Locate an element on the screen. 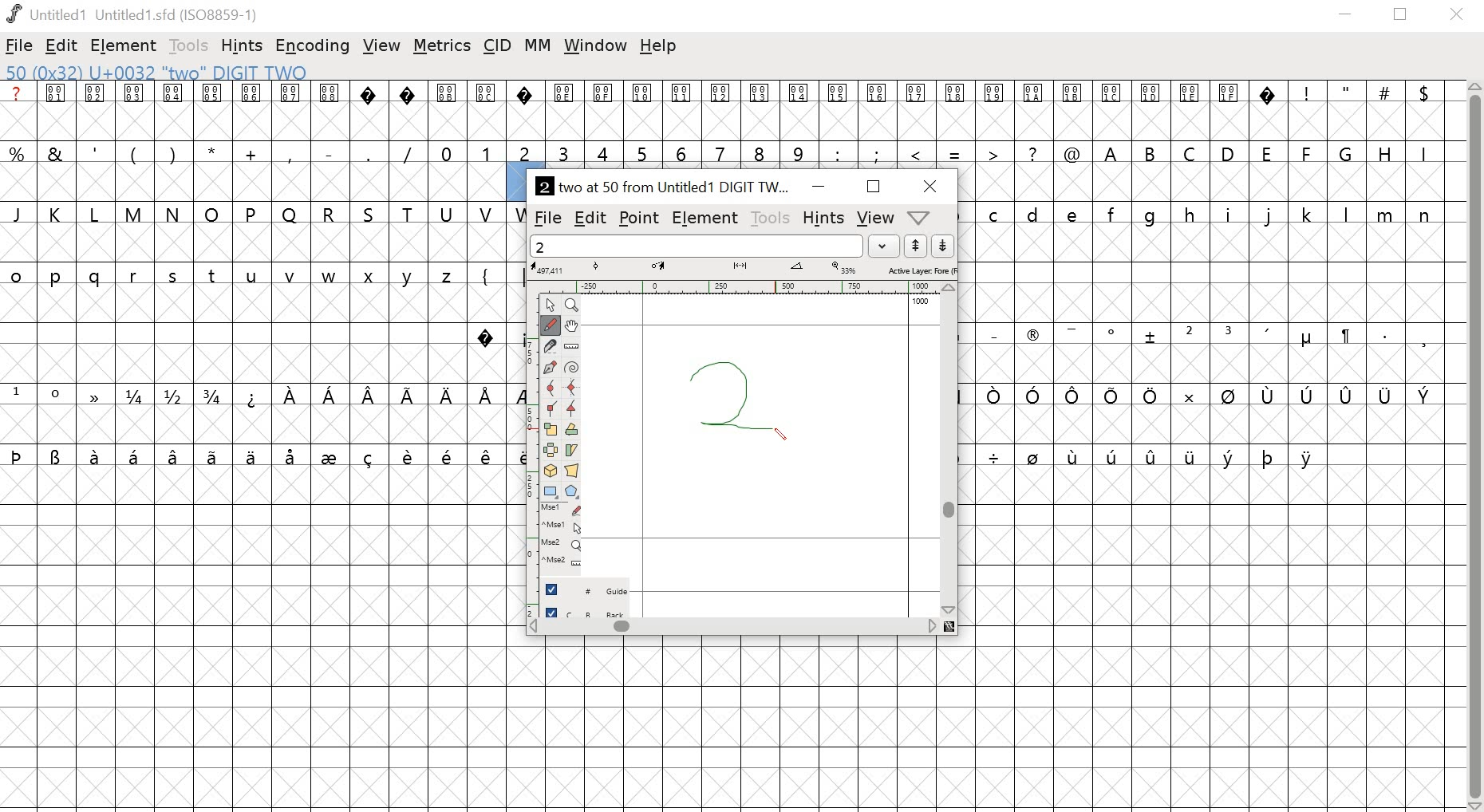 The image size is (1484, 812). Untitled1 Untitled 1.sfd (IS08859-1) is located at coordinates (138, 15).